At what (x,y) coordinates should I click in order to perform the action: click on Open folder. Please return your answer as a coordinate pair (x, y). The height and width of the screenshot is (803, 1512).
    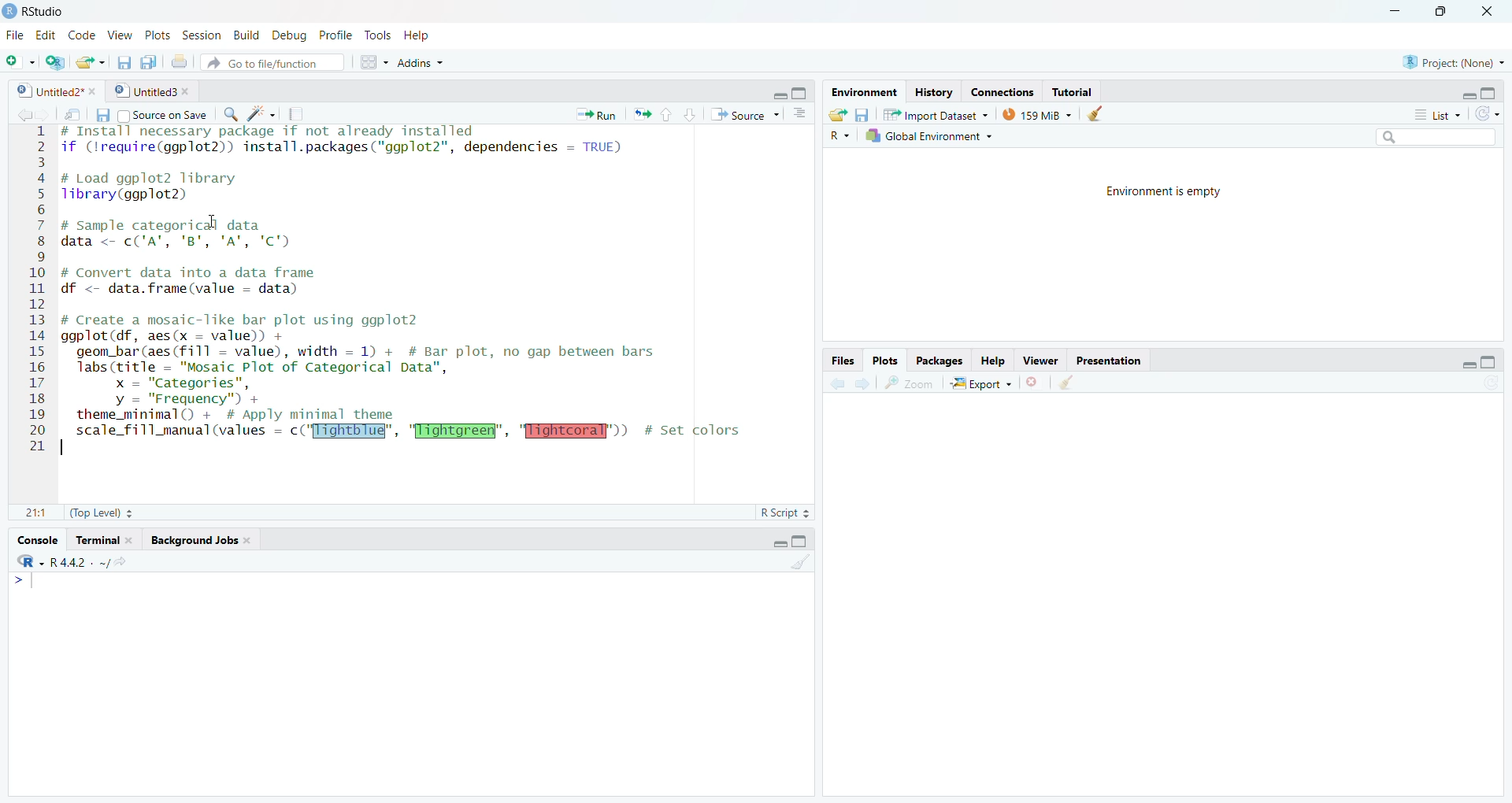
    Looking at the image, I should click on (89, 62).